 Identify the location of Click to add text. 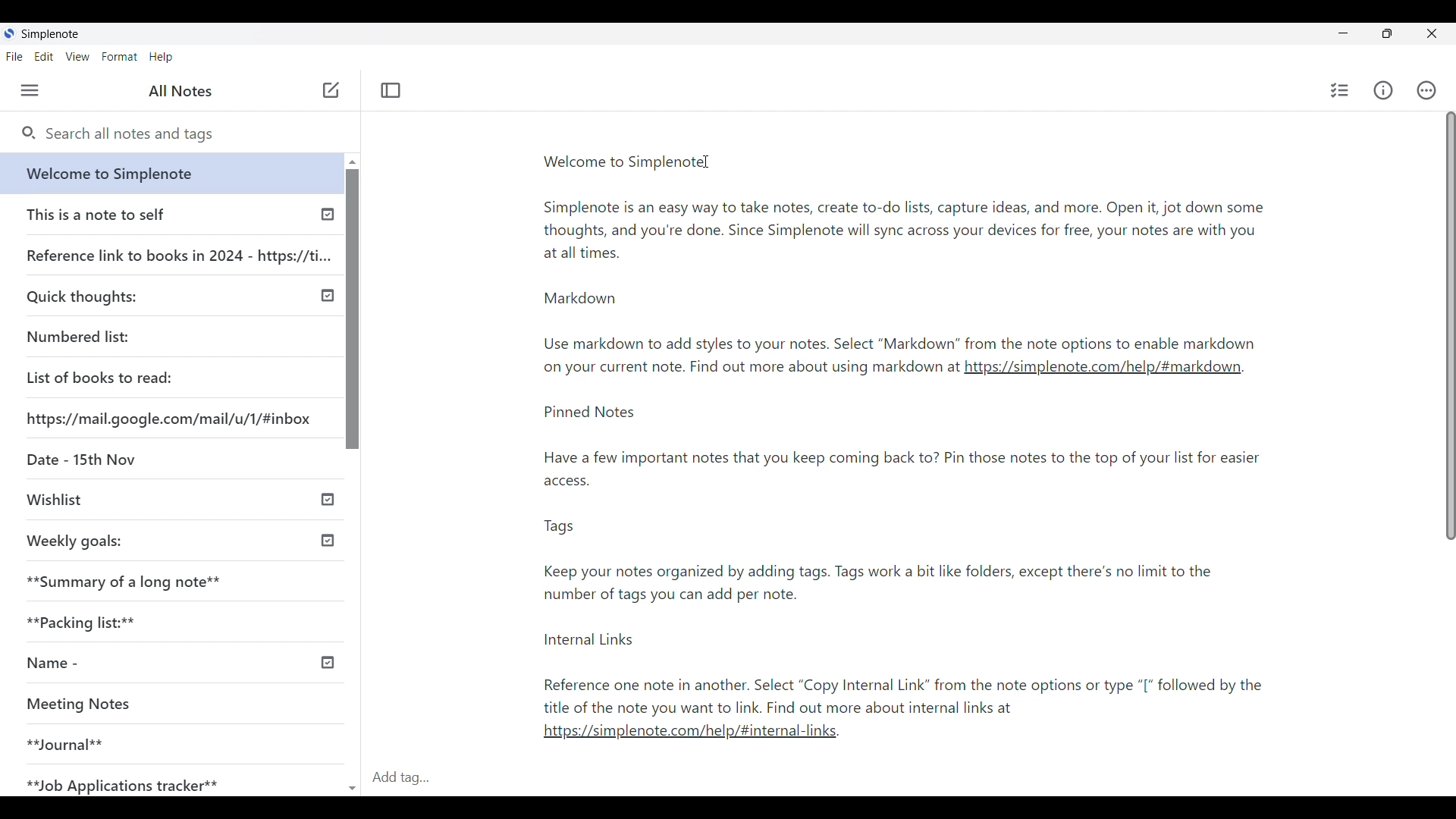
(331, 90).